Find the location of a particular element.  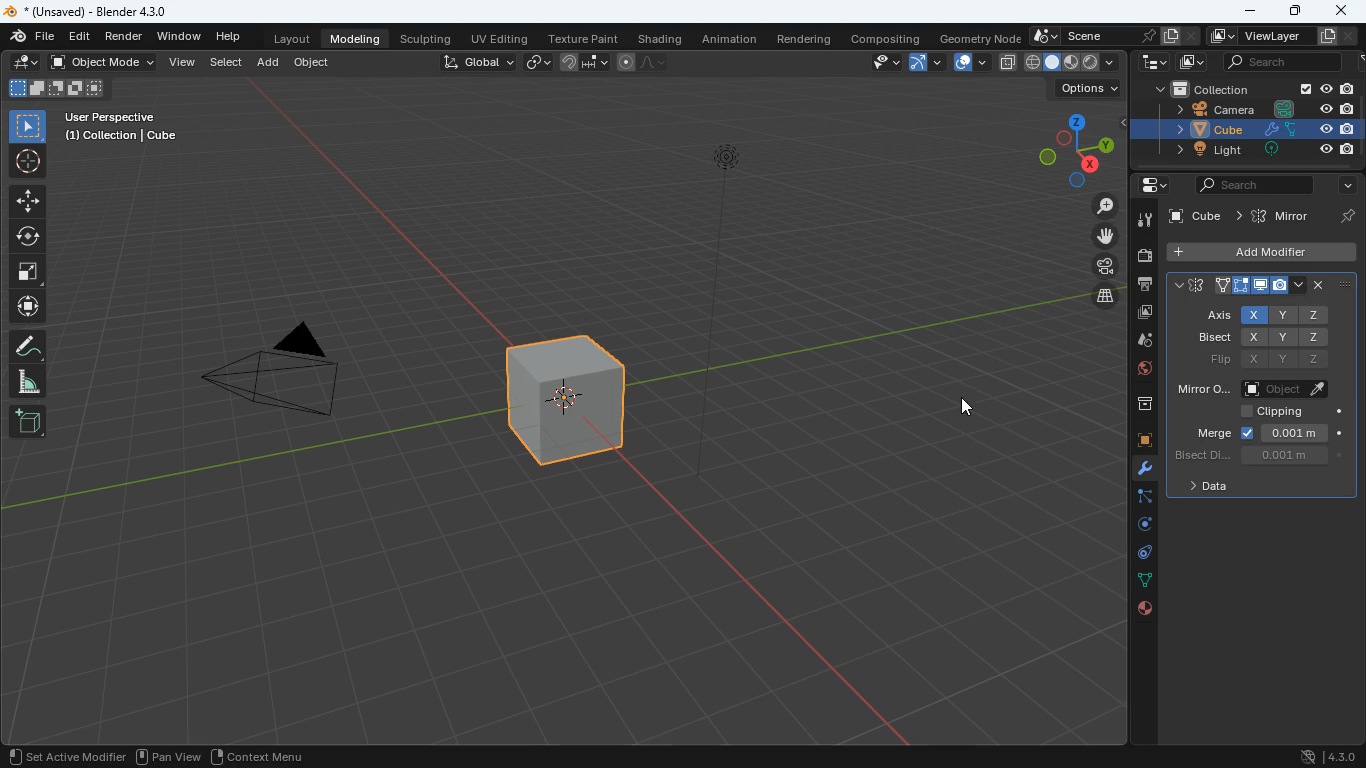

move is located at coordinates (26, 307).